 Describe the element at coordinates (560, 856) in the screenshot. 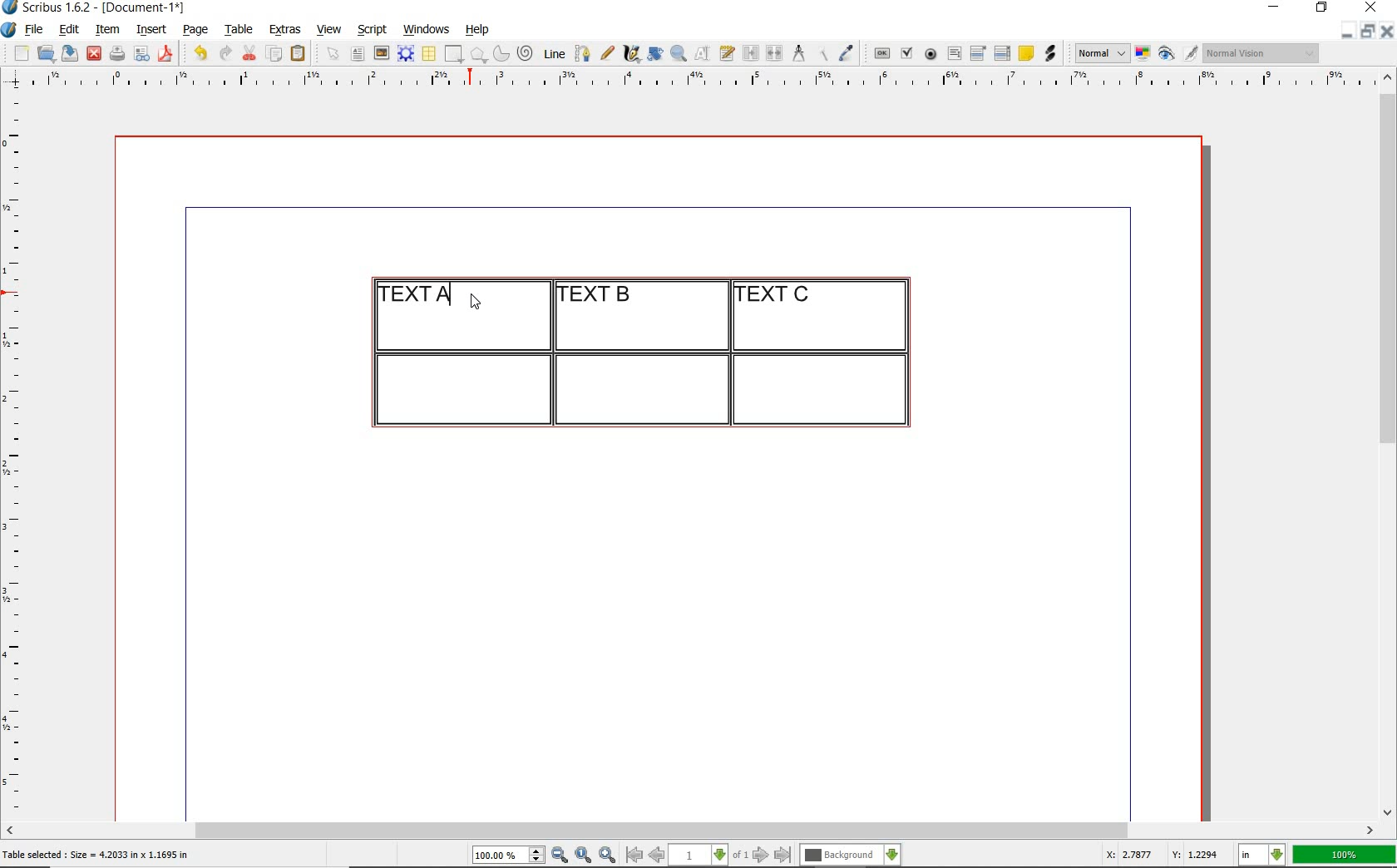

I see `zoom out` at that location.